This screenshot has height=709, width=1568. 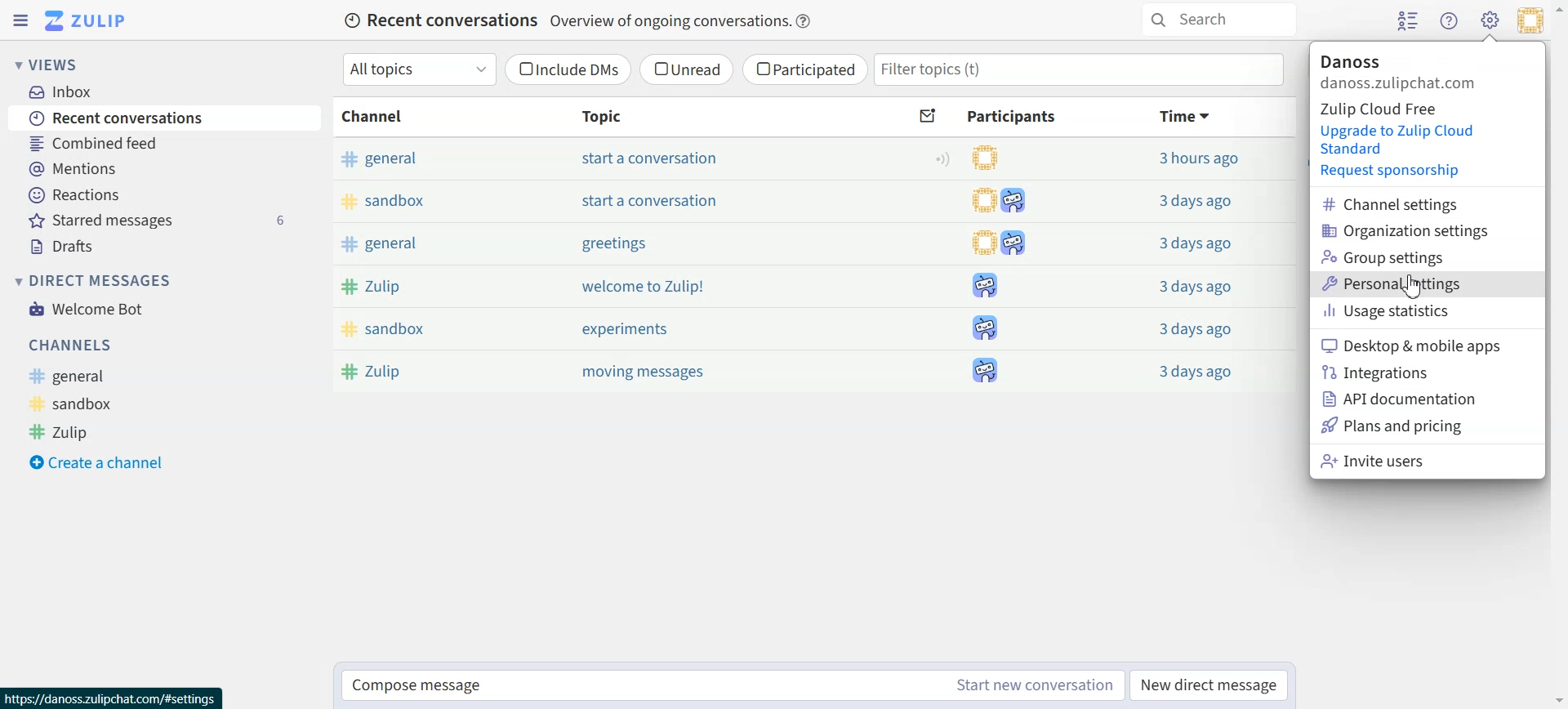 What do you see at coordinates (69, 377) in the screenshot?
I see `General` at bounding box center [69, 377].